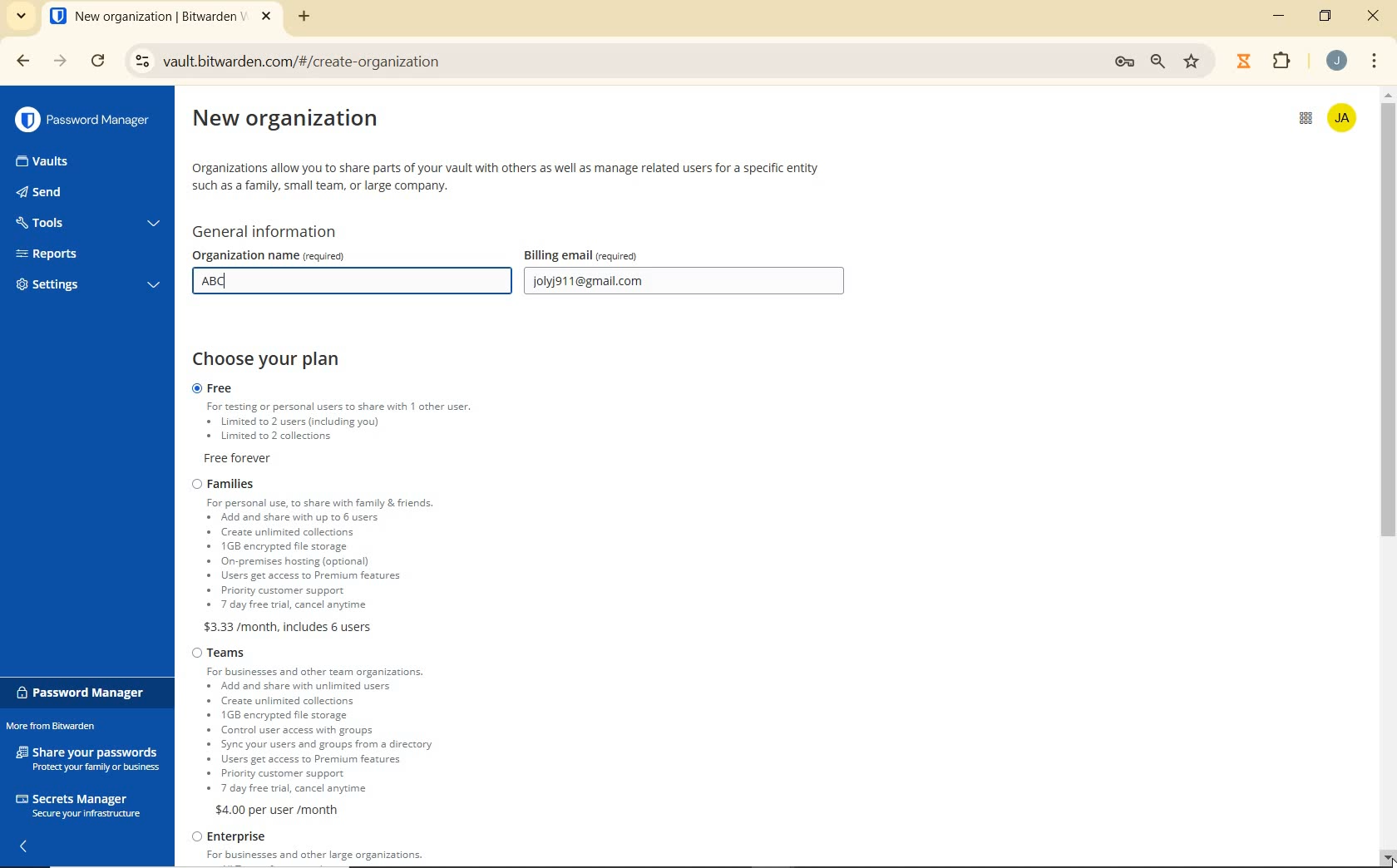  Describe the element at coordinates (82, 120) in the screenshot. I see `password manager` at that location.